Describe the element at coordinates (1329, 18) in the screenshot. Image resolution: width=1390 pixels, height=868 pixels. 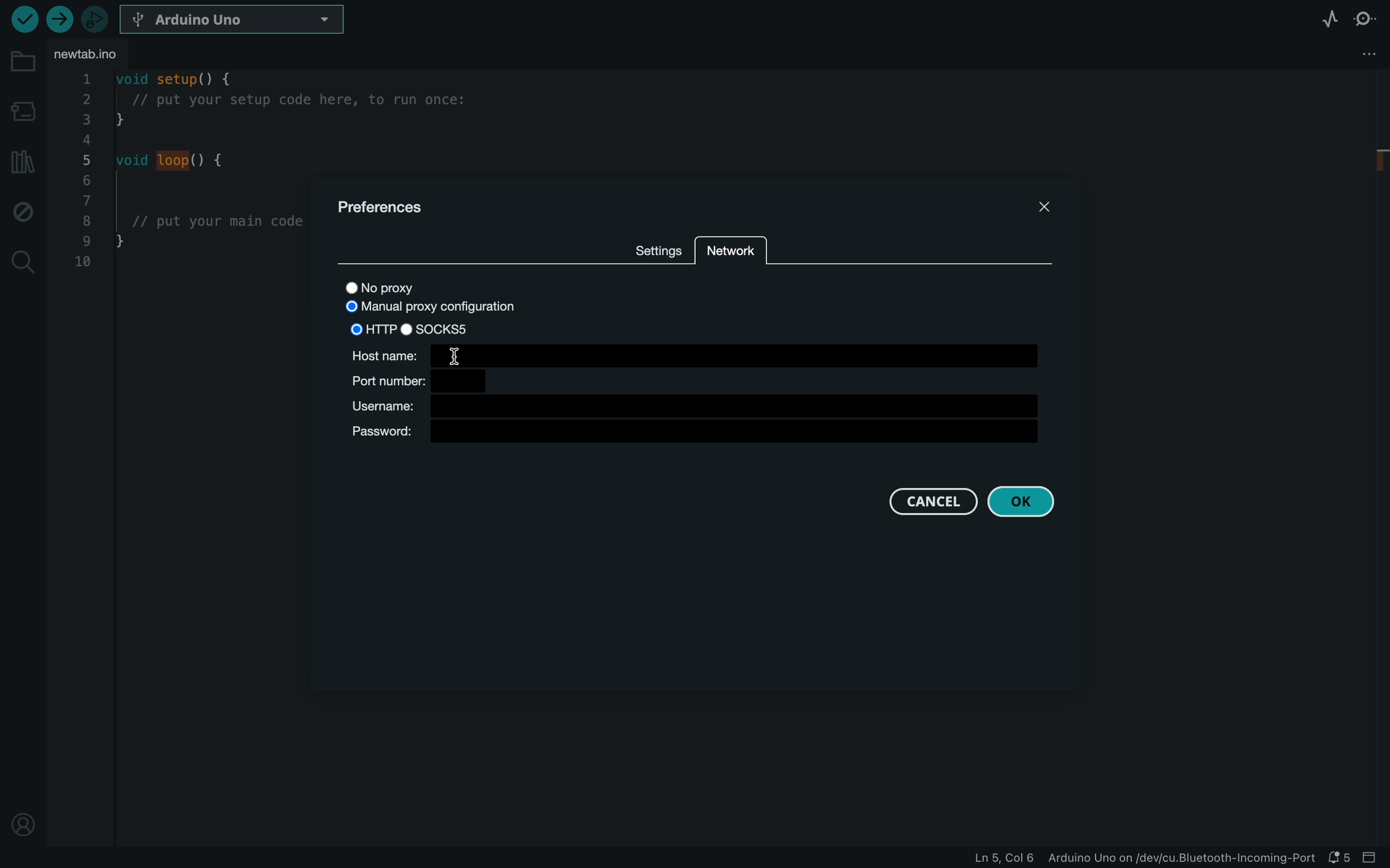
I see `serial plotter` at that location.